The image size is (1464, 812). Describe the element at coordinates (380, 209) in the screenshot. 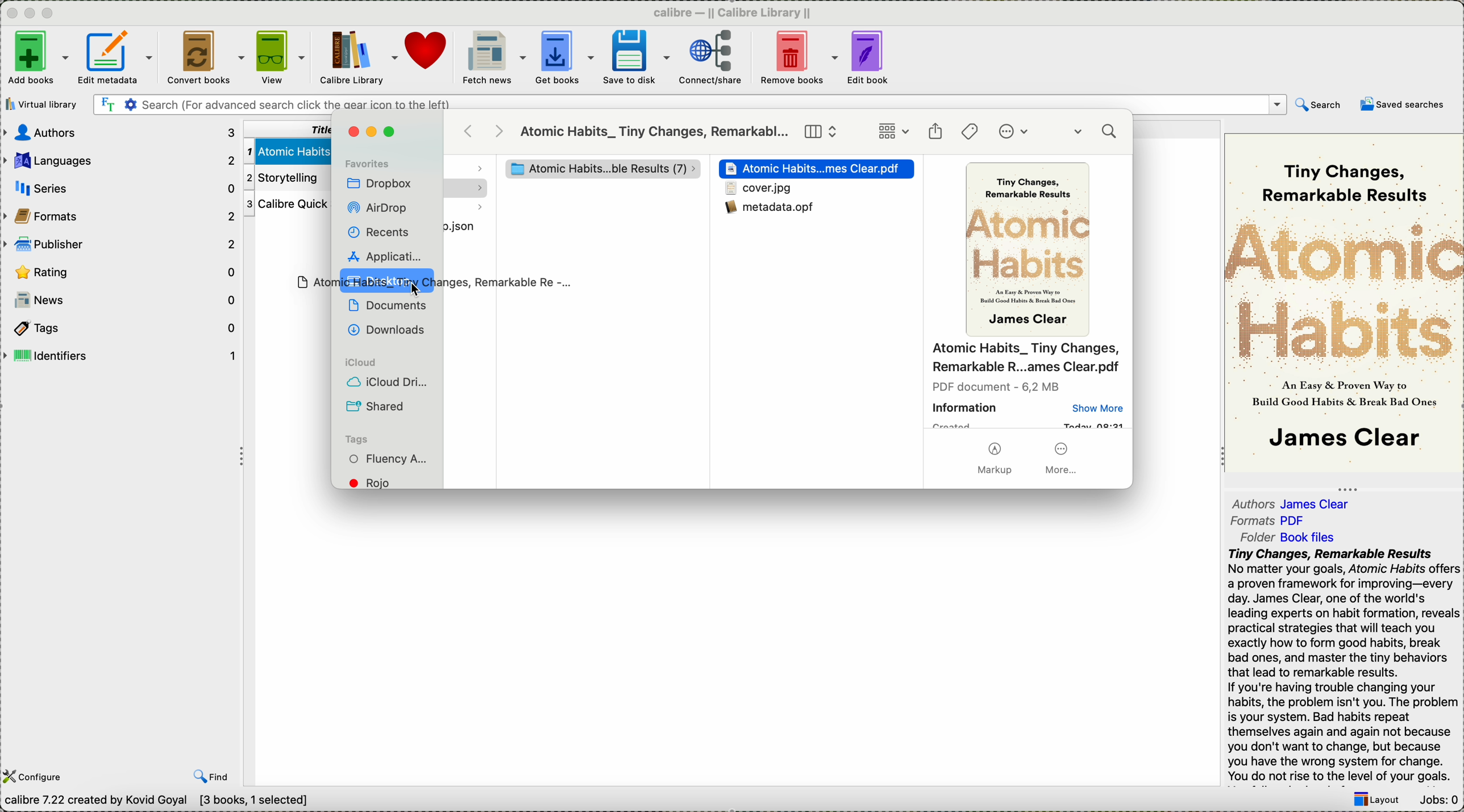

I see `AirDrop` at that location.